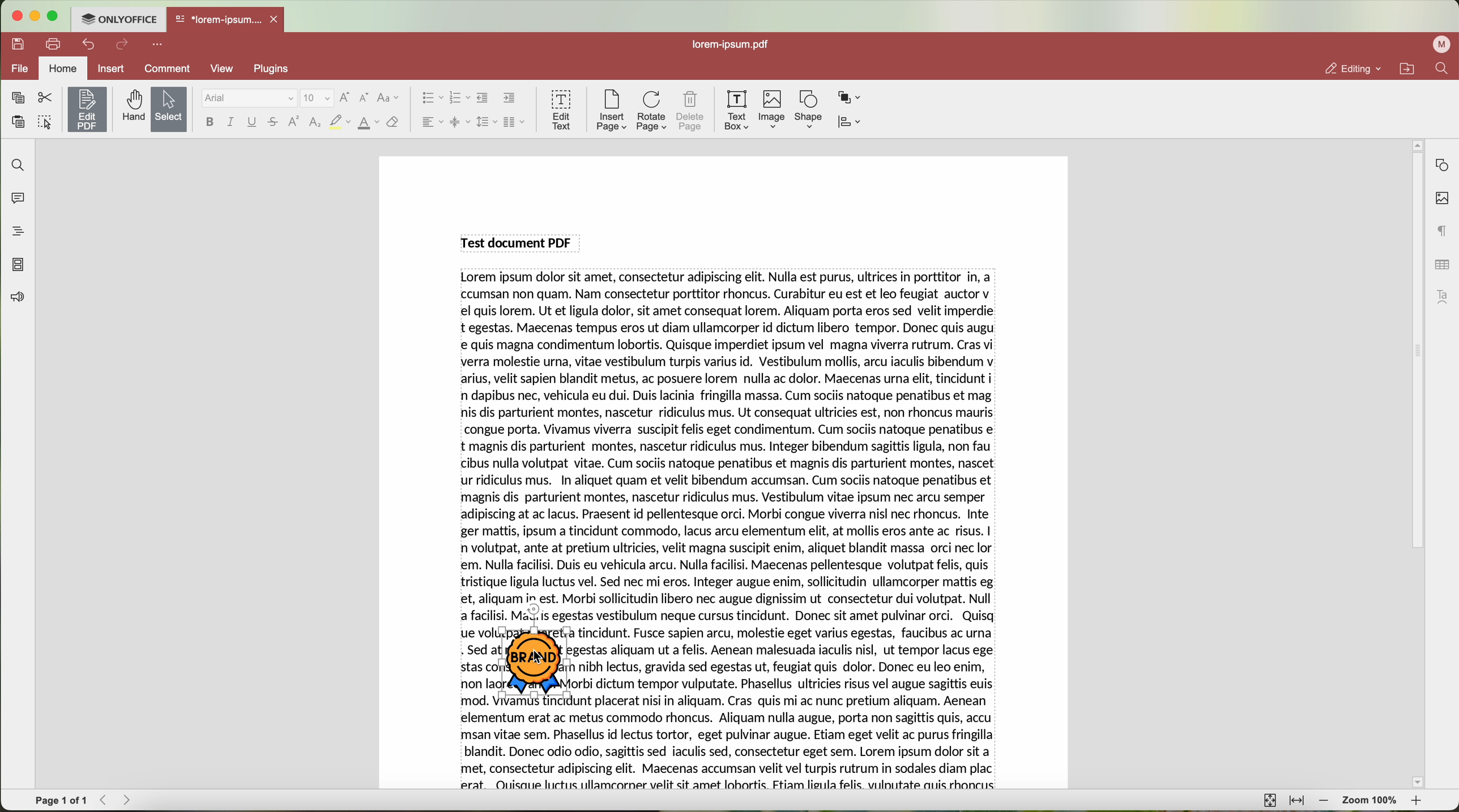  Describe the element at coordinates (515, 123) in the screenshot. I see `insert columns` at that location.